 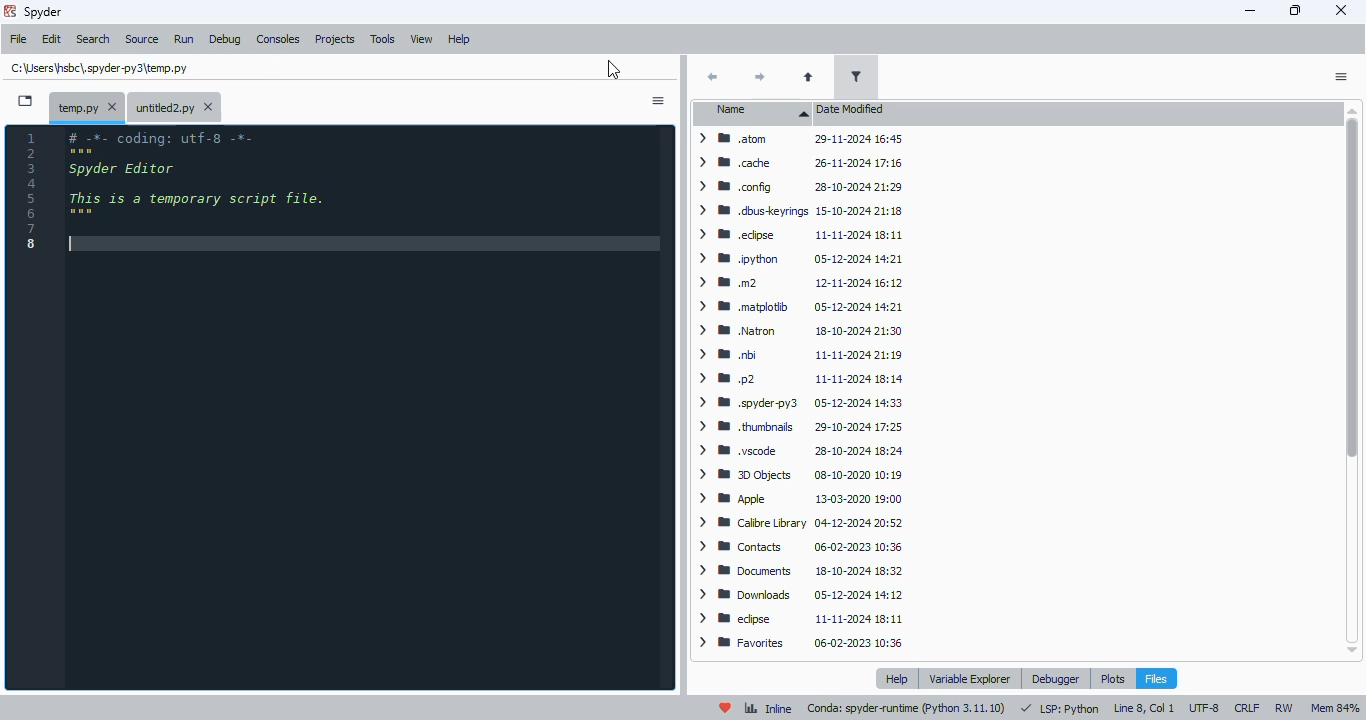 What do you see at coordinates (102, 68) in the screenshot?
I see `untitled2.py` at bounding box center [102, 68].